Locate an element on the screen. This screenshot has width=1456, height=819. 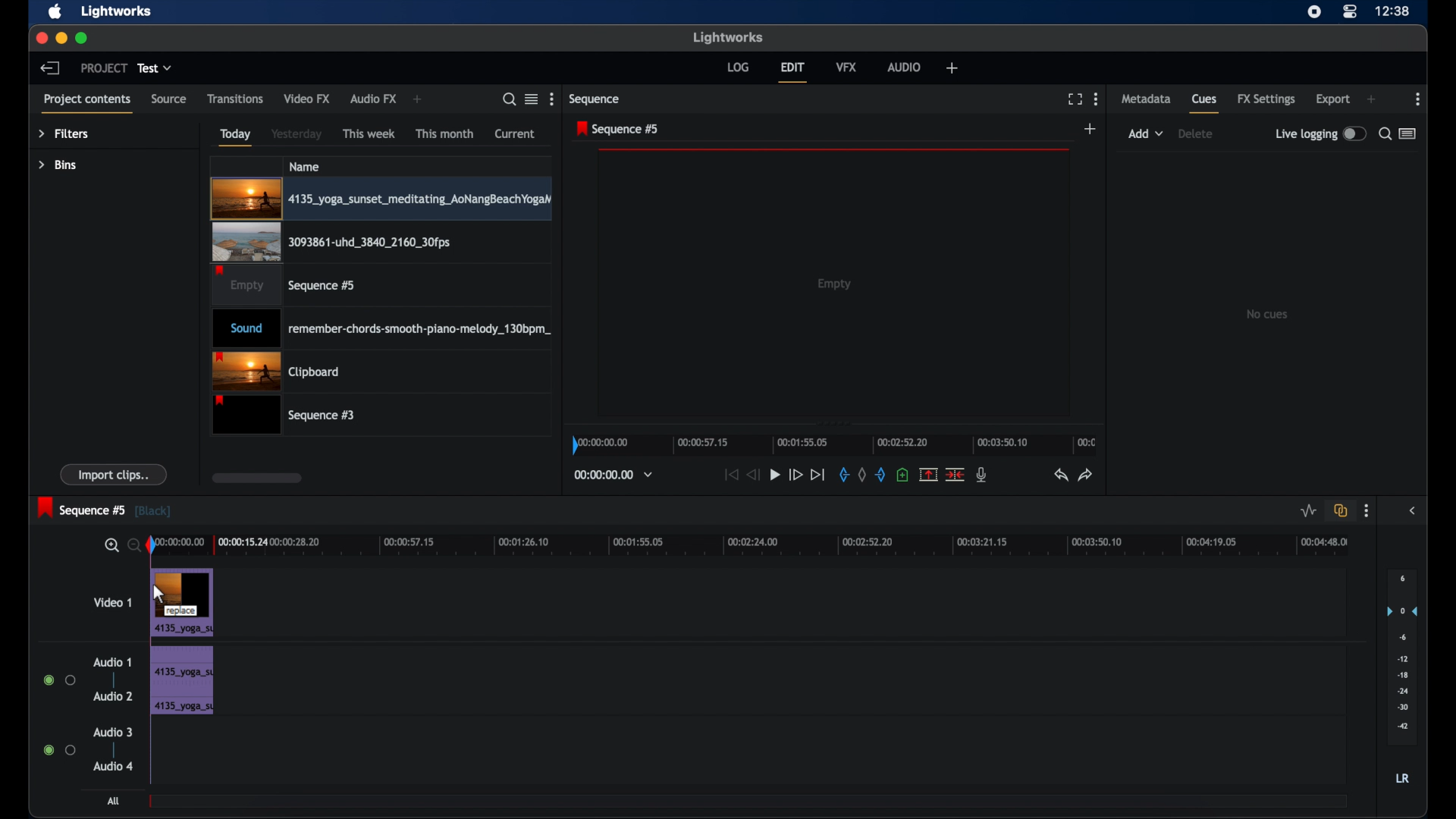
test dropdown is located at coordinates (155, 67).